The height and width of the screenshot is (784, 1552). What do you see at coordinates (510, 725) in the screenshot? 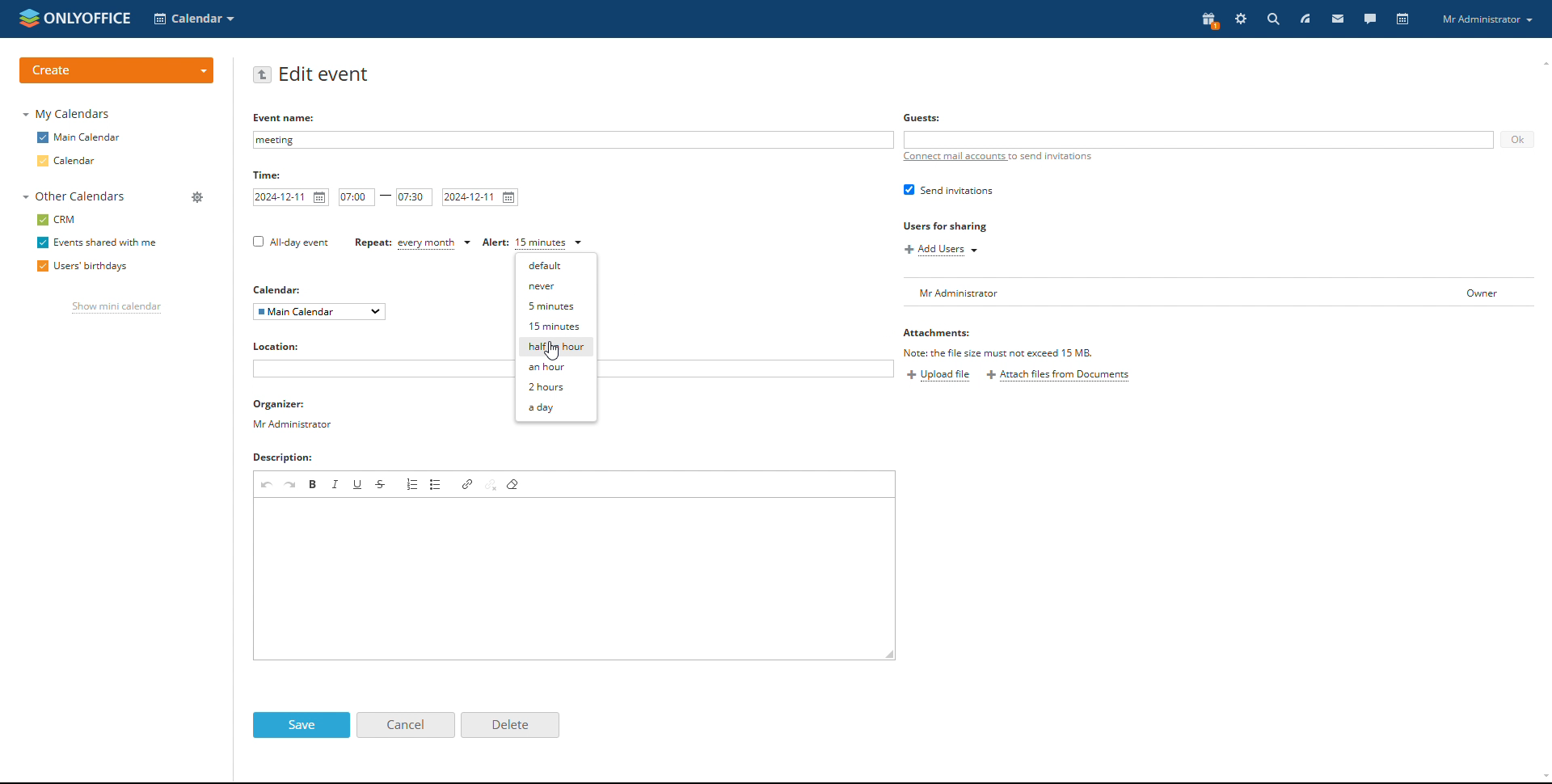
I see `delete` at bounding box center [510, 725].